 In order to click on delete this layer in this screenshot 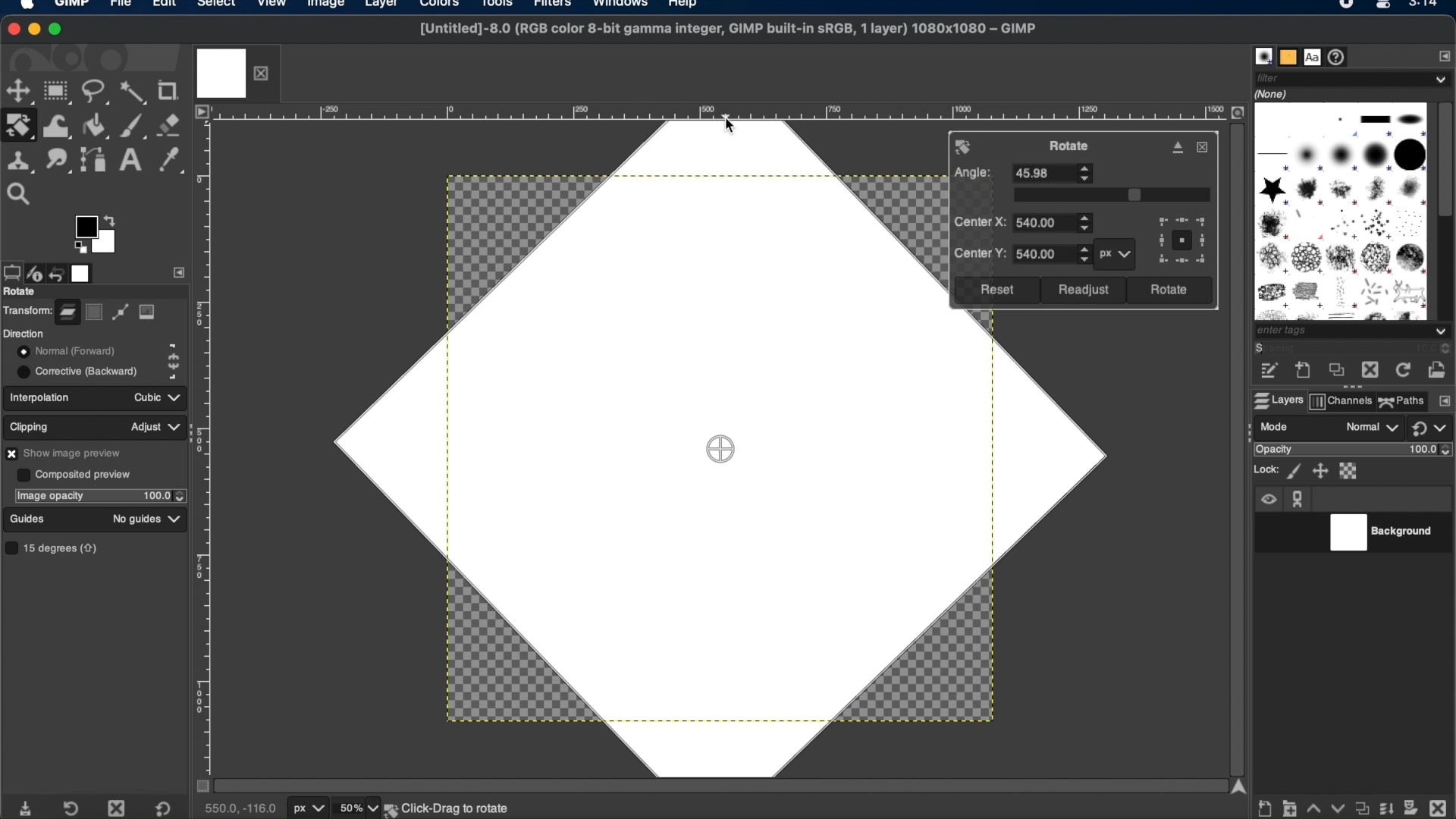, I will do `click(1438, 804)`.